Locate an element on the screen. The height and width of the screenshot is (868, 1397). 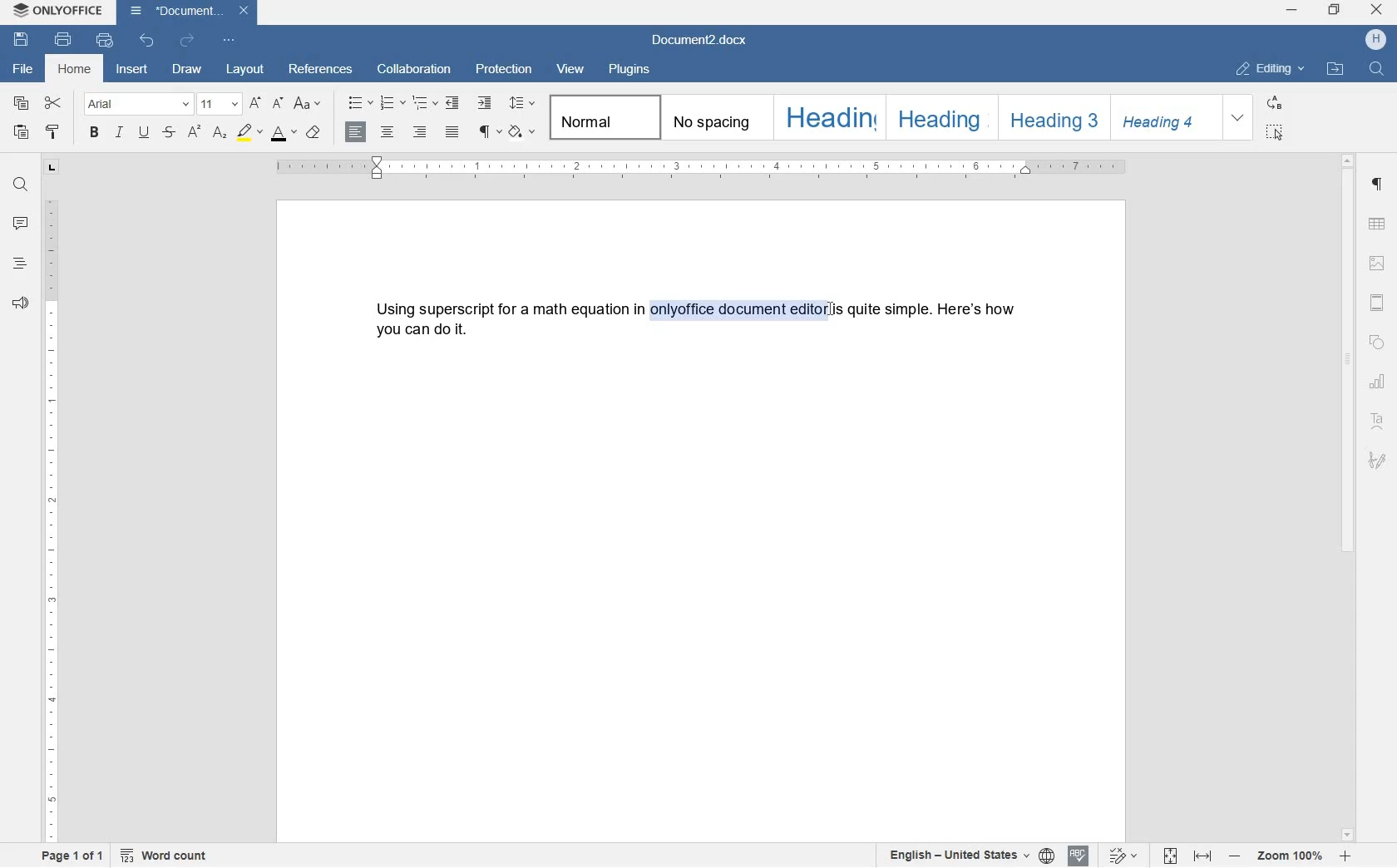
align left is located at coordinates (357, 133).